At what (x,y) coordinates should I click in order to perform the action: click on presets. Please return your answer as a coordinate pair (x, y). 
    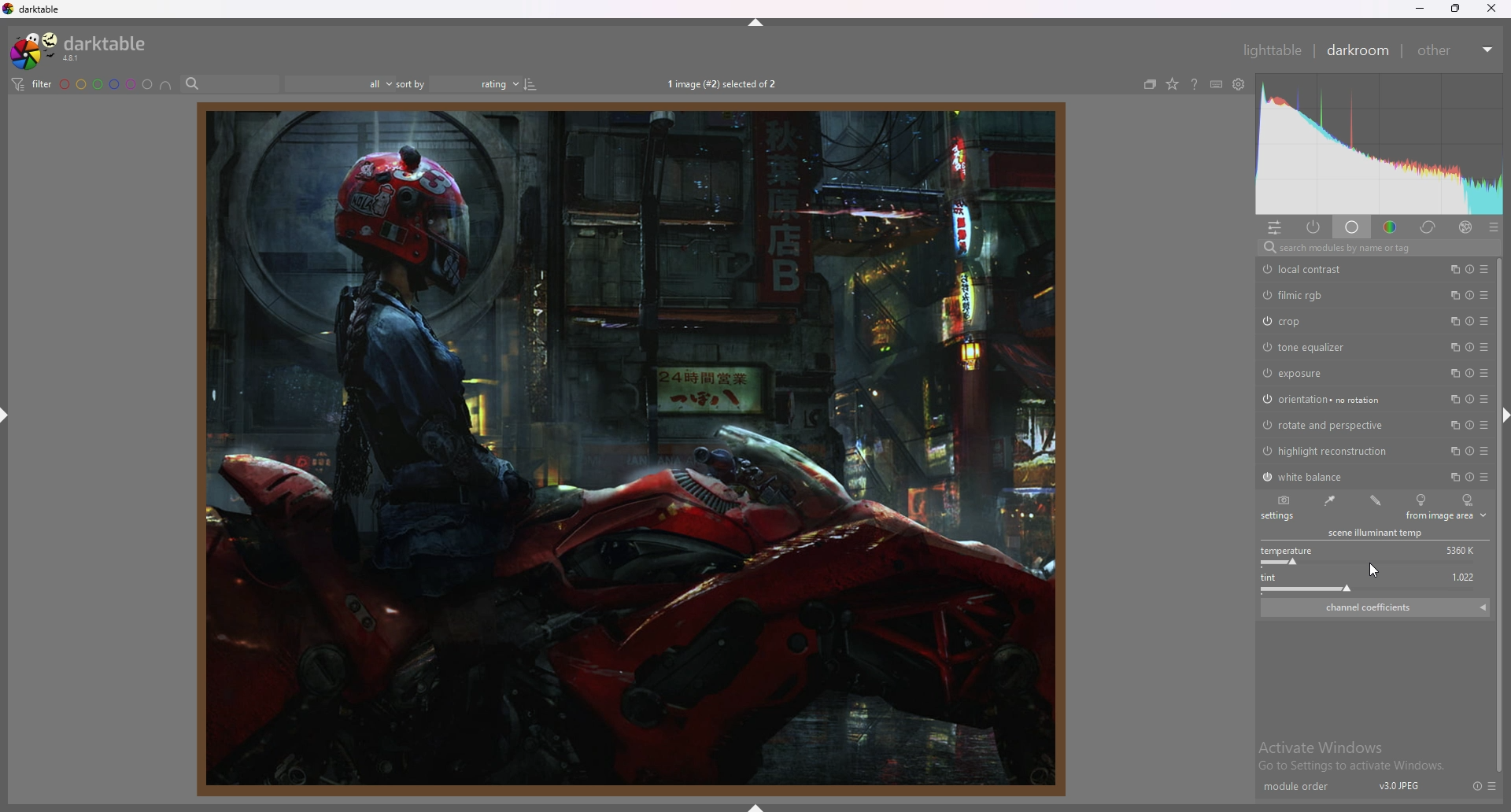
    Looking at the image, I should click on (1494, 228).